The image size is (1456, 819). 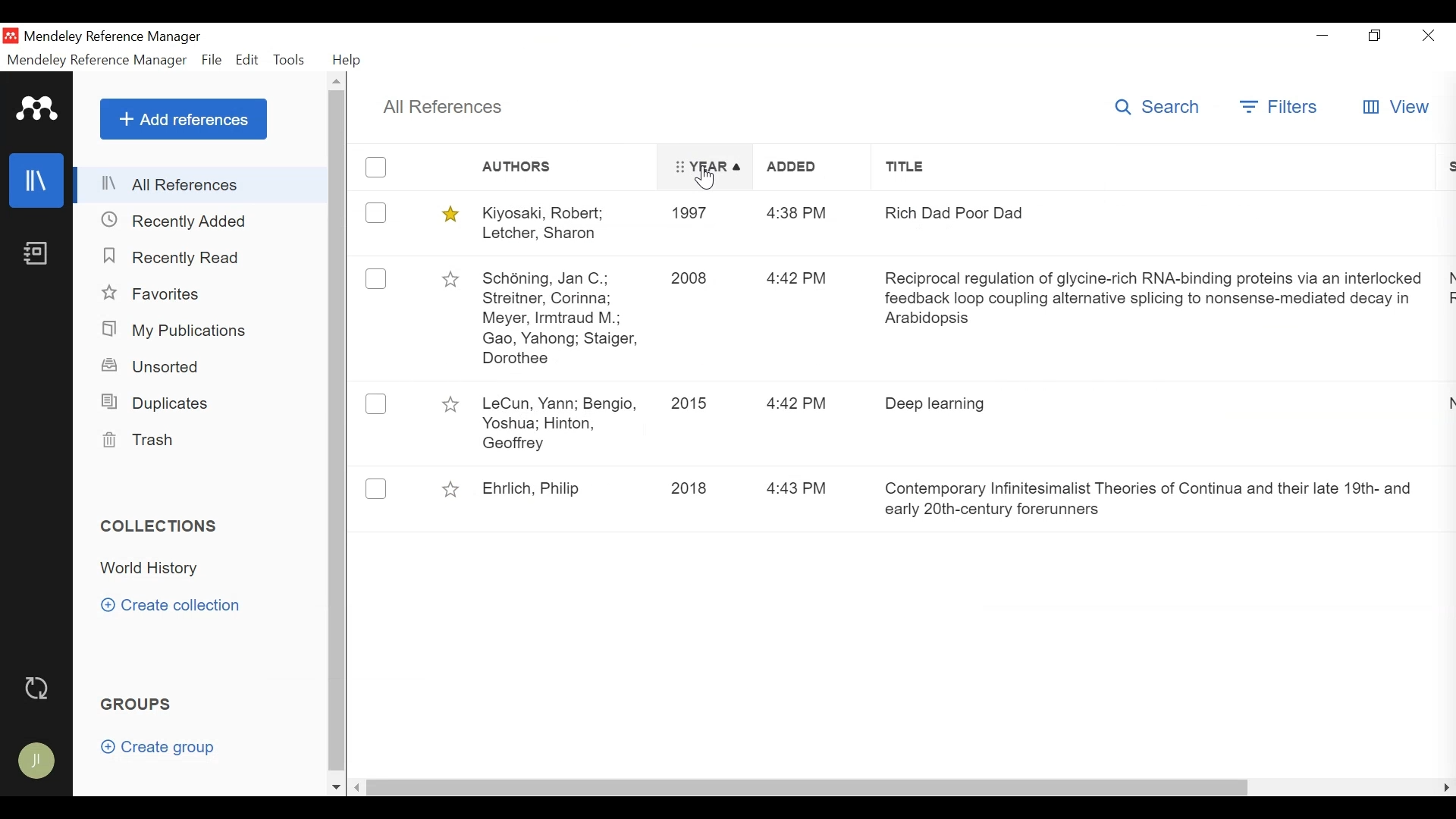 I want to click on Sync, so click(x=39, y=687).